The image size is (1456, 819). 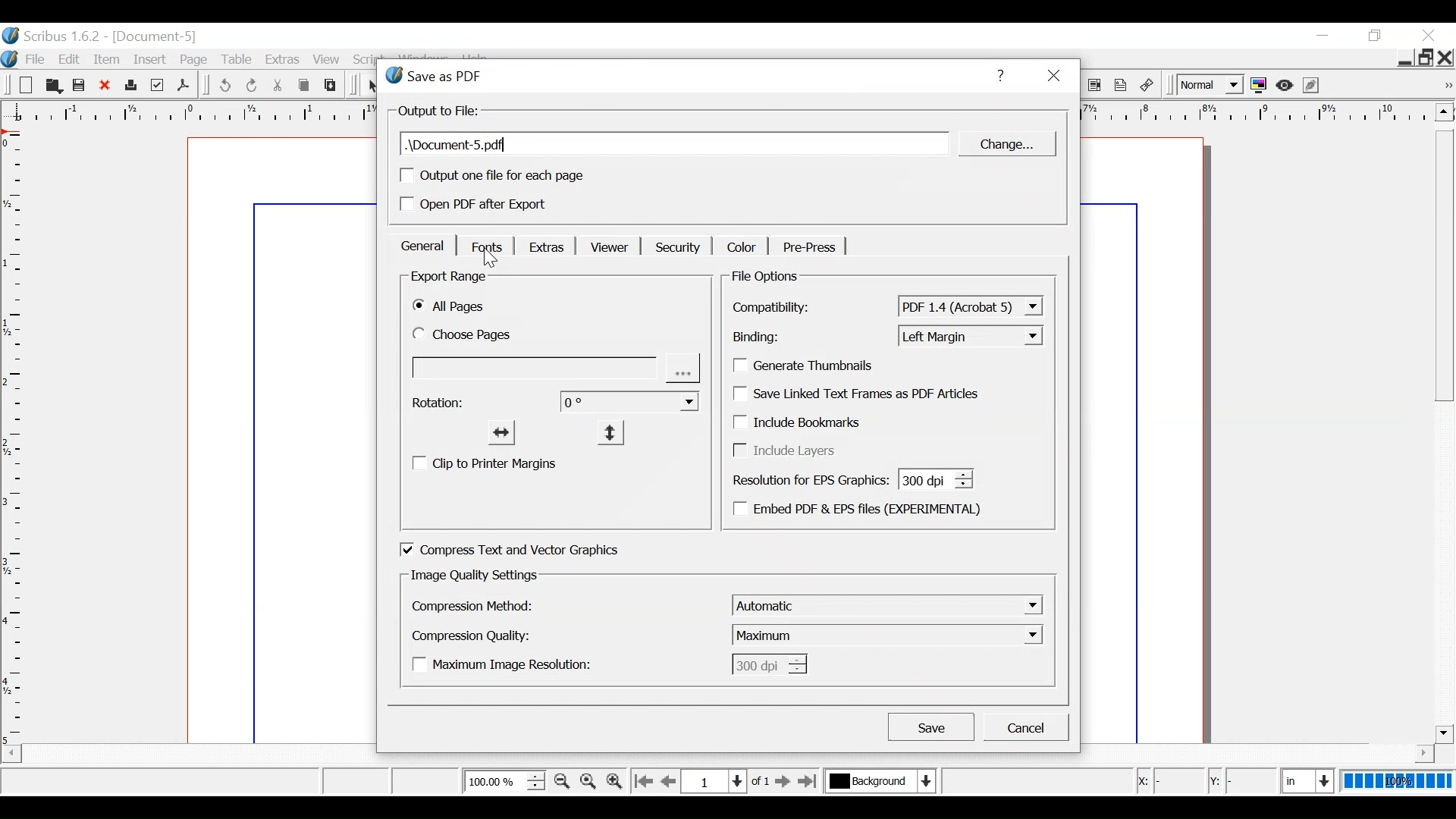 What do you see at coordinates (675, 144) in the screenshot?
I see `Document name` at bounding box center [675, 144].